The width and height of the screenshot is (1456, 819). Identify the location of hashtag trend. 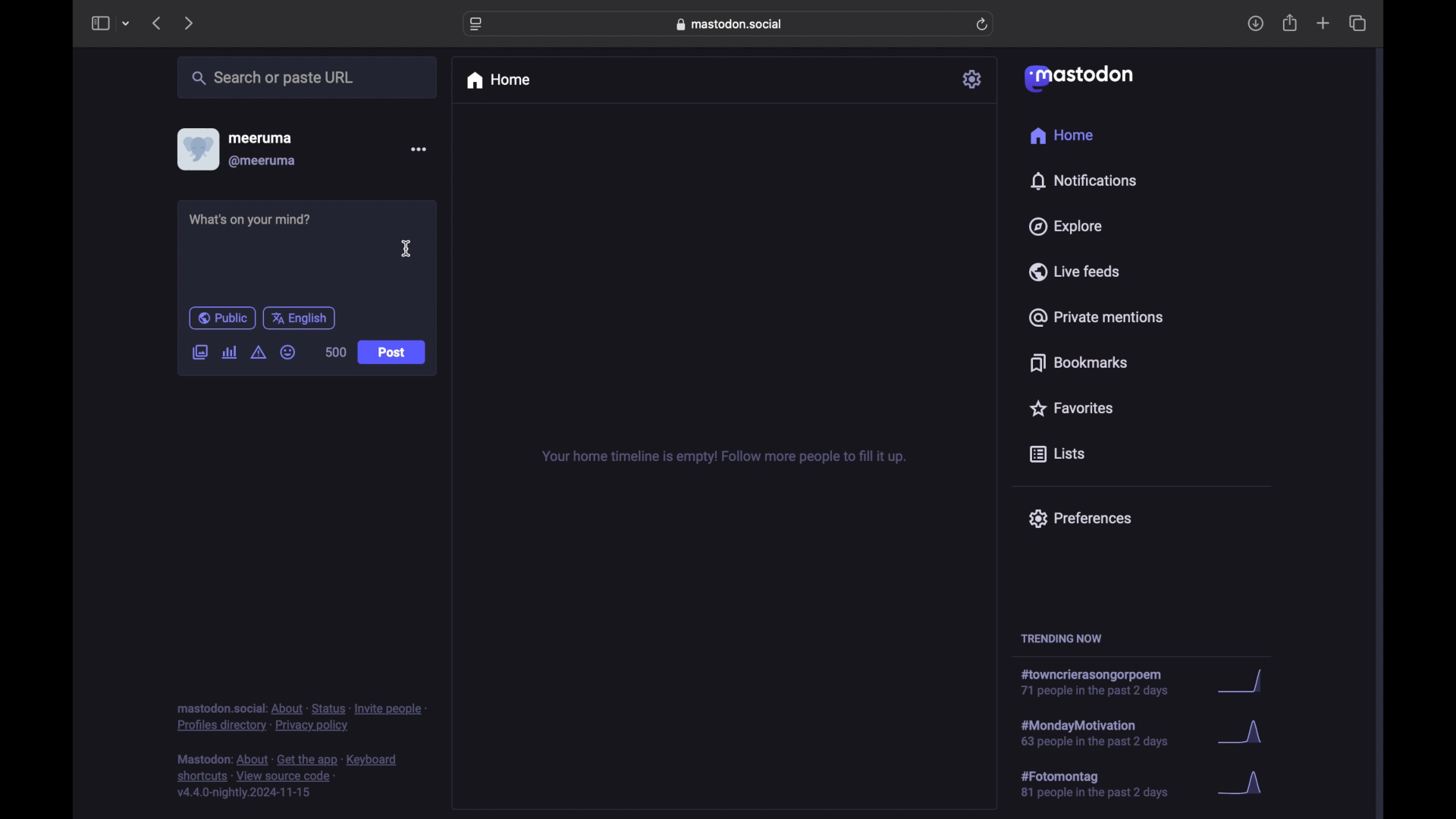
(1105, 783).